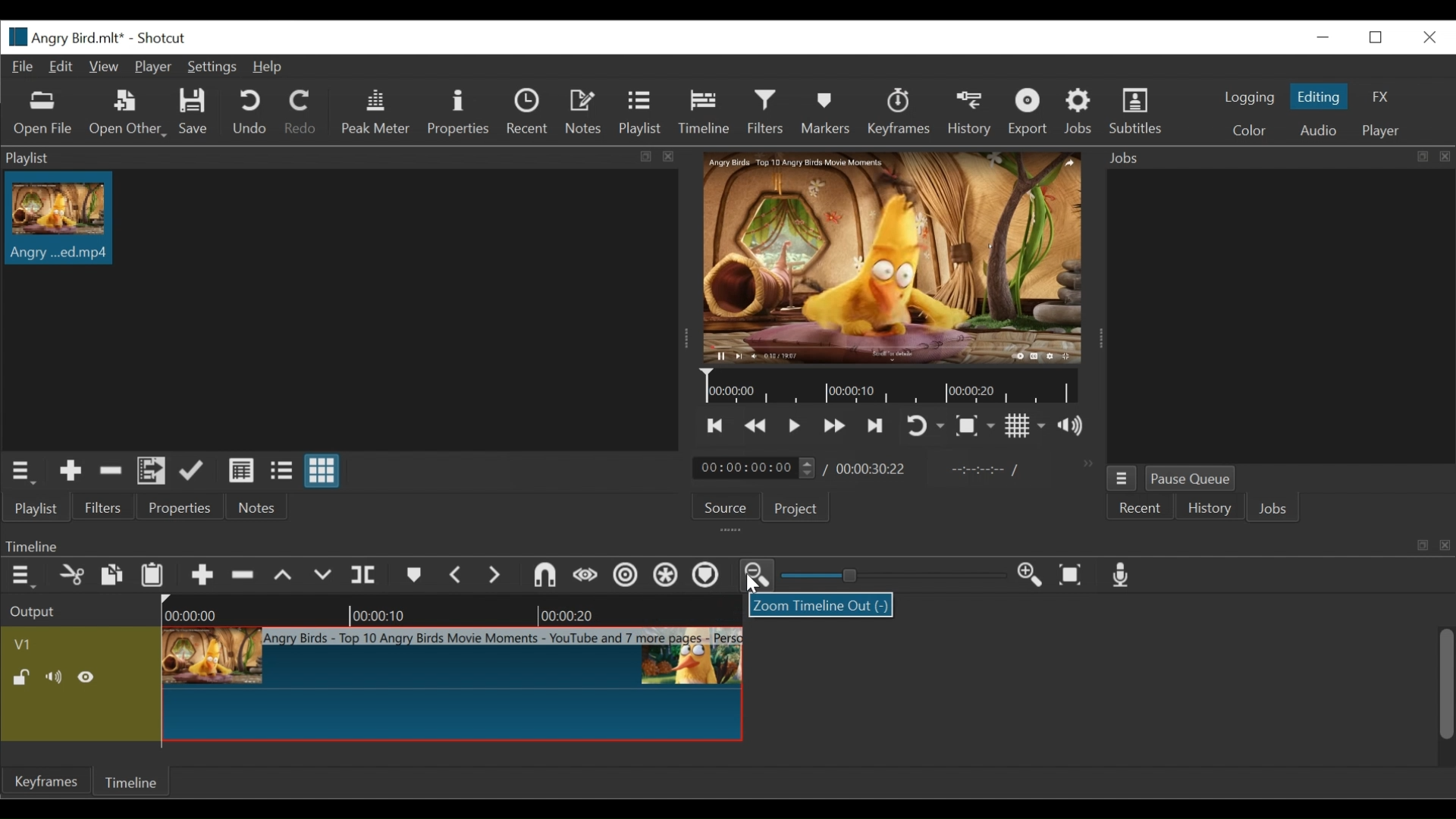  I want to click on Shotcut, so click(166, 37).